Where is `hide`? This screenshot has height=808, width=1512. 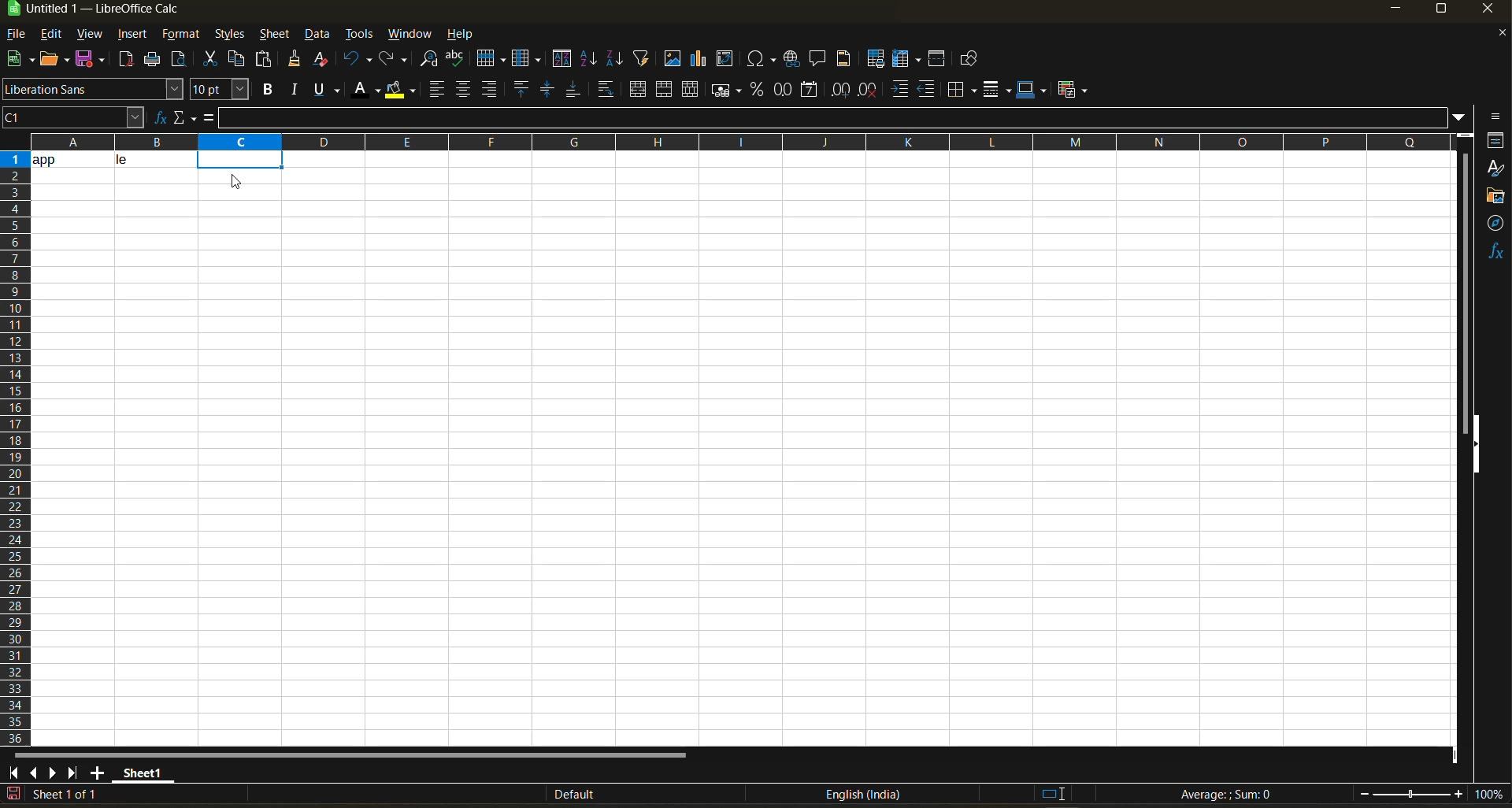
hide is located at coordinates (1475, 445).